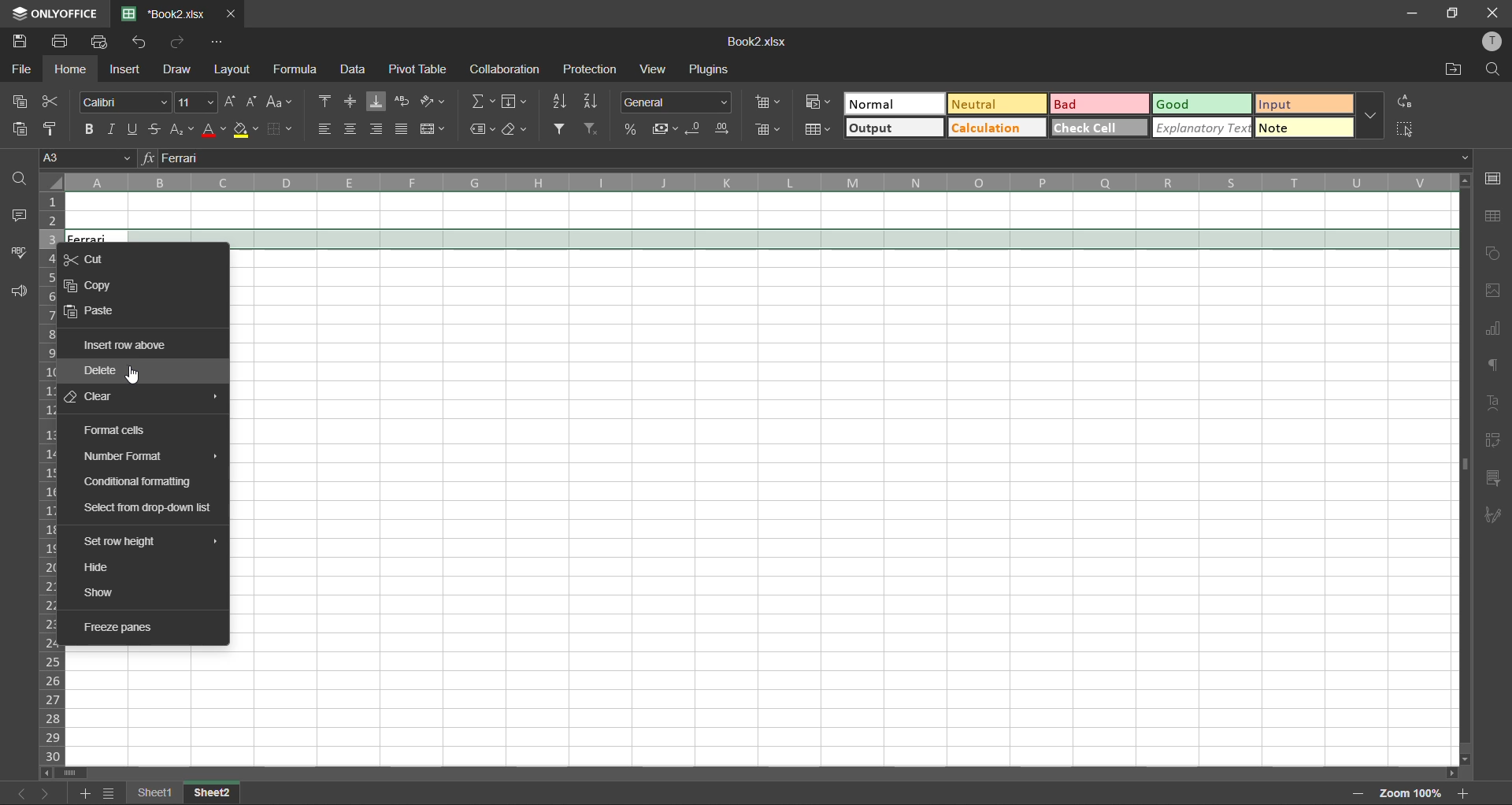 The height and width of the screenshot is (805, 1512). Describe the element at coordinates (1001, 103) in the screenshot. I see `neutral` at that location.